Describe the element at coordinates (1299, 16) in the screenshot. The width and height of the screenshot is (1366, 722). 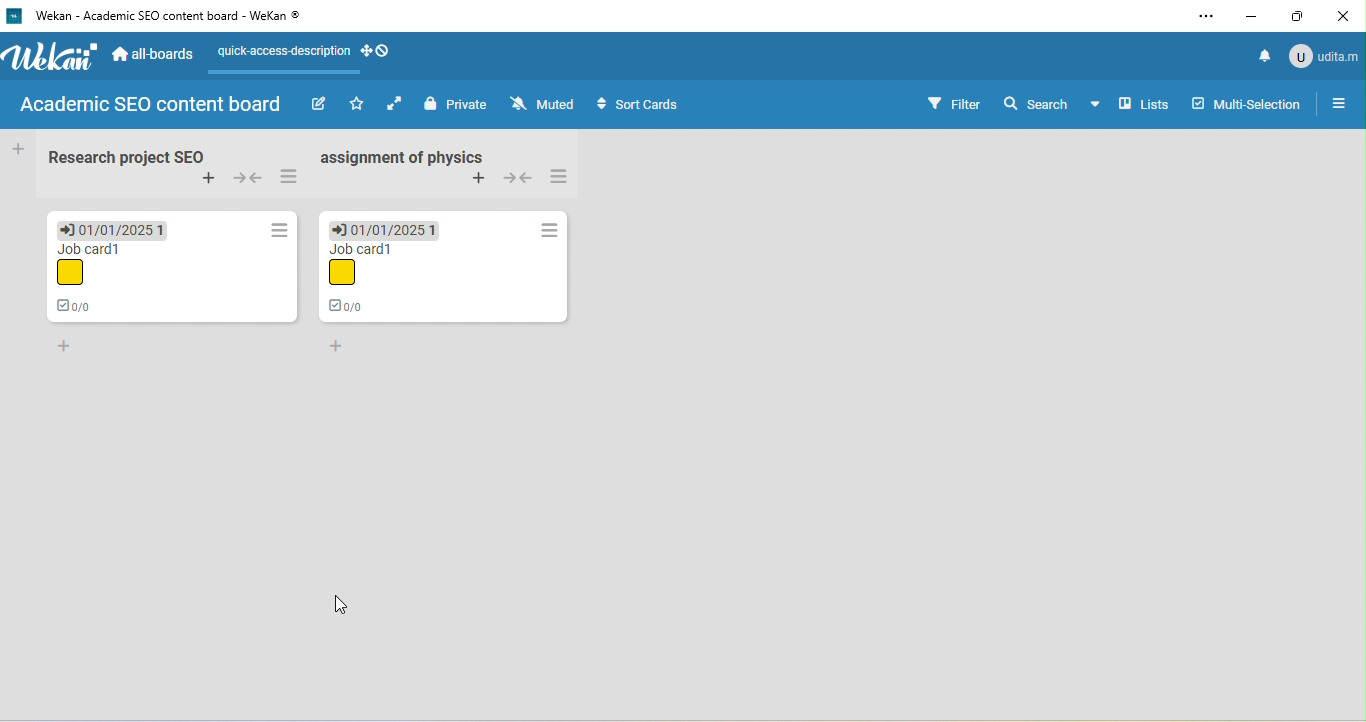
I see `maximize` at that location.